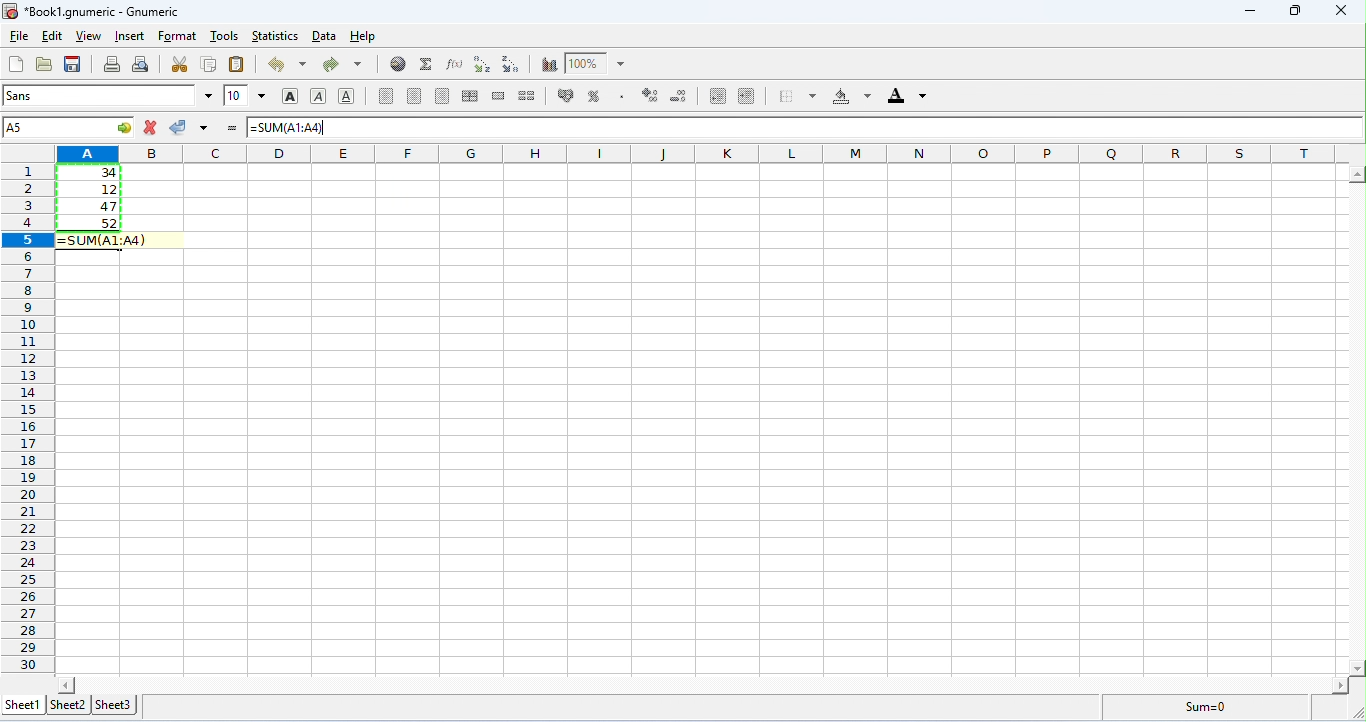  I want to click on new, so click(15, 64).